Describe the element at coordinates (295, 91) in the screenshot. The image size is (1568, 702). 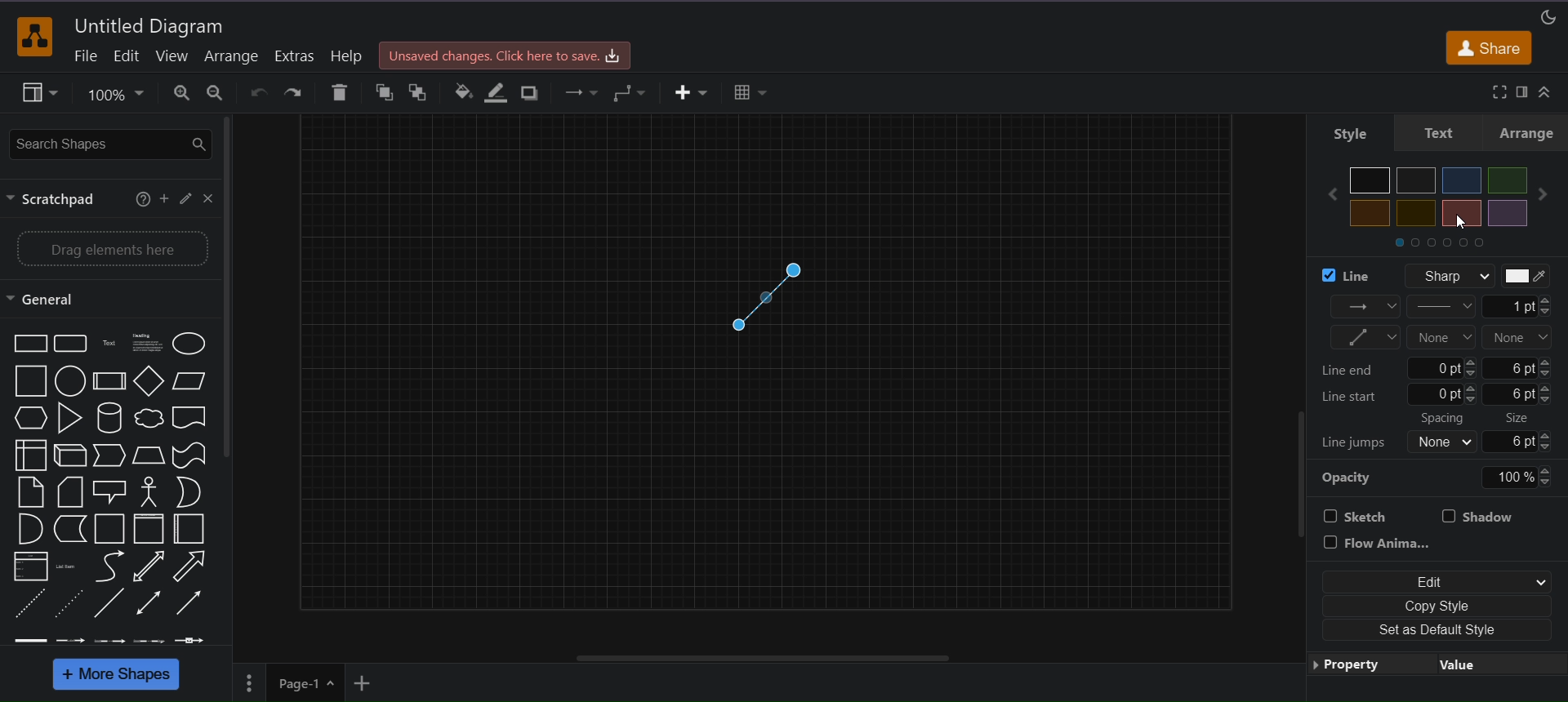
I see `redo` at that location.